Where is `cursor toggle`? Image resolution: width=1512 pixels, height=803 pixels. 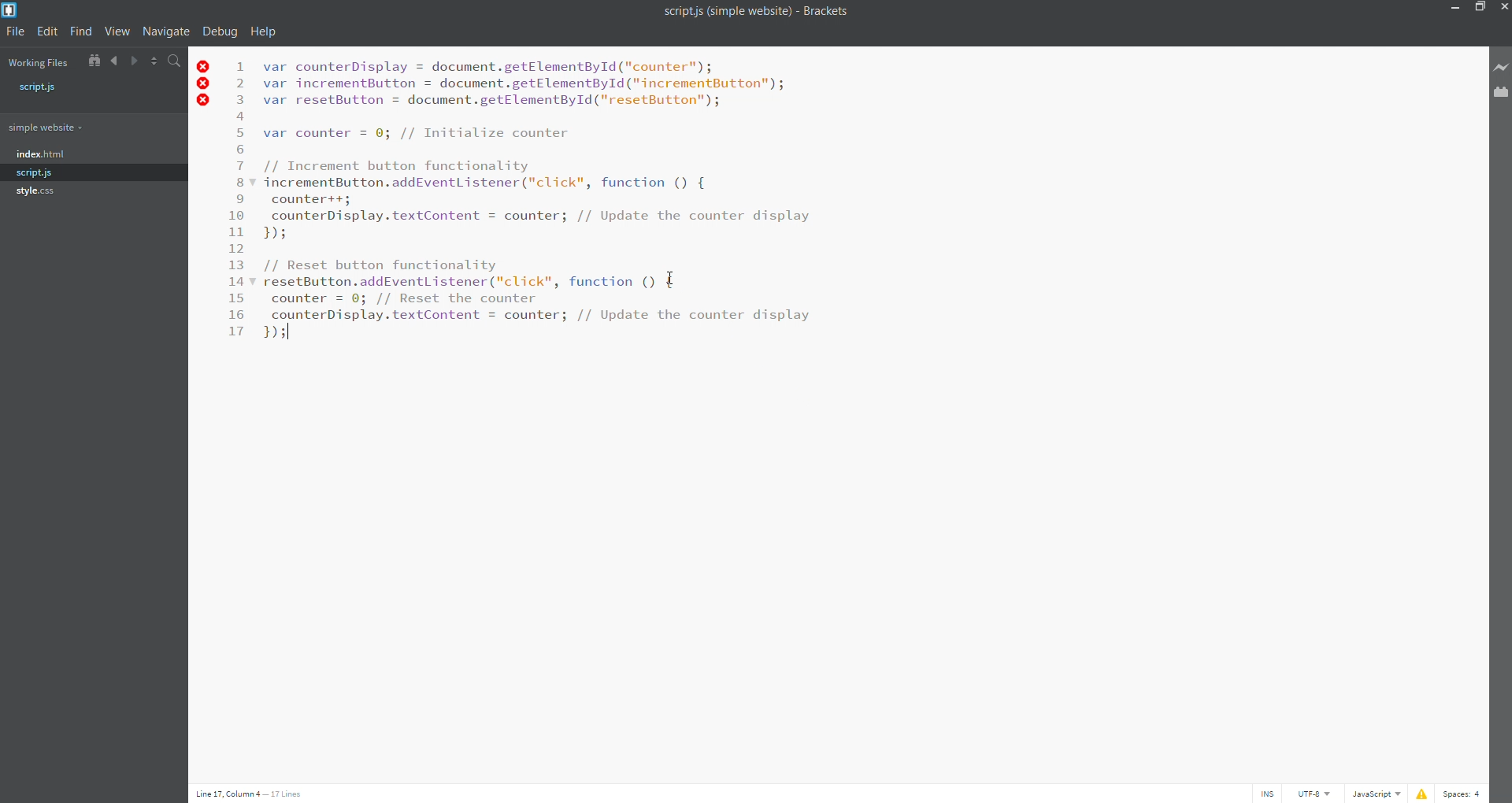
cursor toggle is located at coordinates (1269, 794).